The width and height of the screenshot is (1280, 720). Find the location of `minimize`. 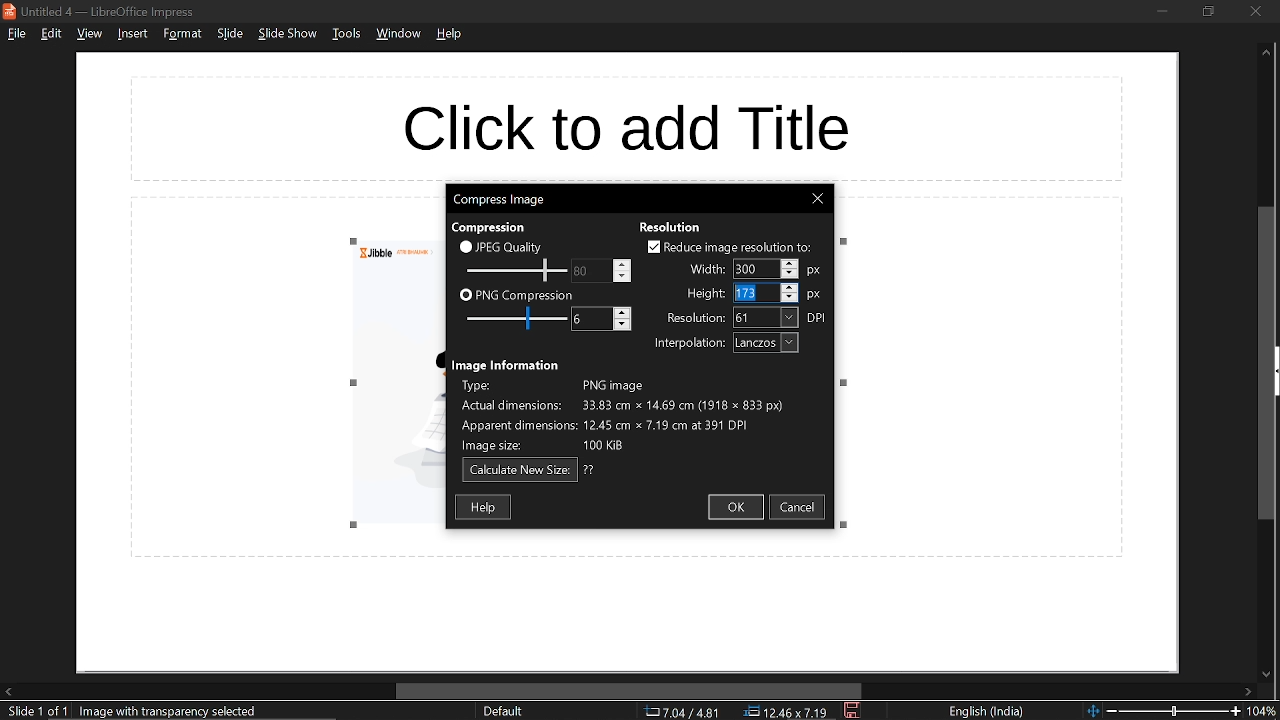

minimize is located at coordinates (1162, 11).